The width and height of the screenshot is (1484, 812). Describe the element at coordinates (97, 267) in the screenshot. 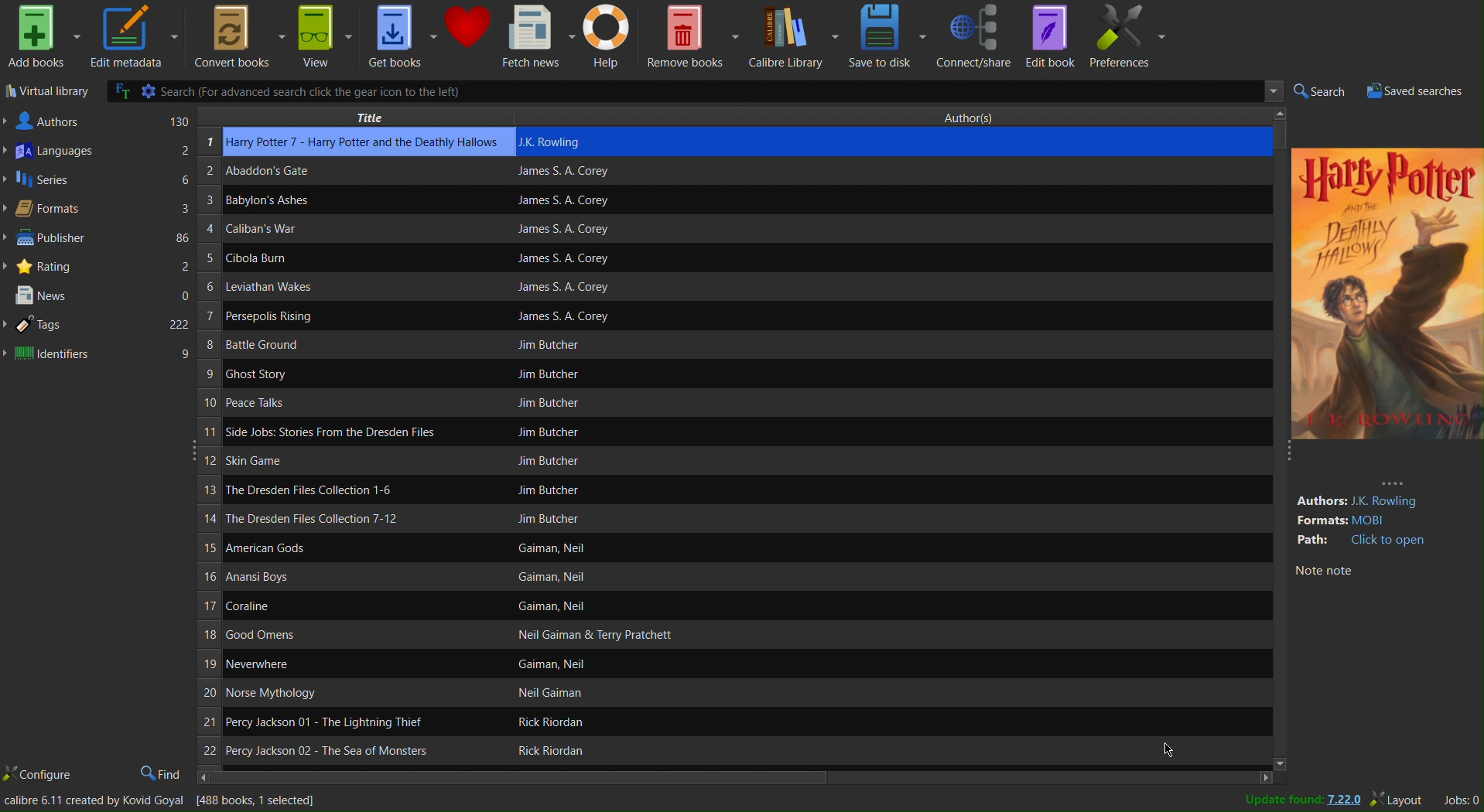

I see `Rating` at that location.